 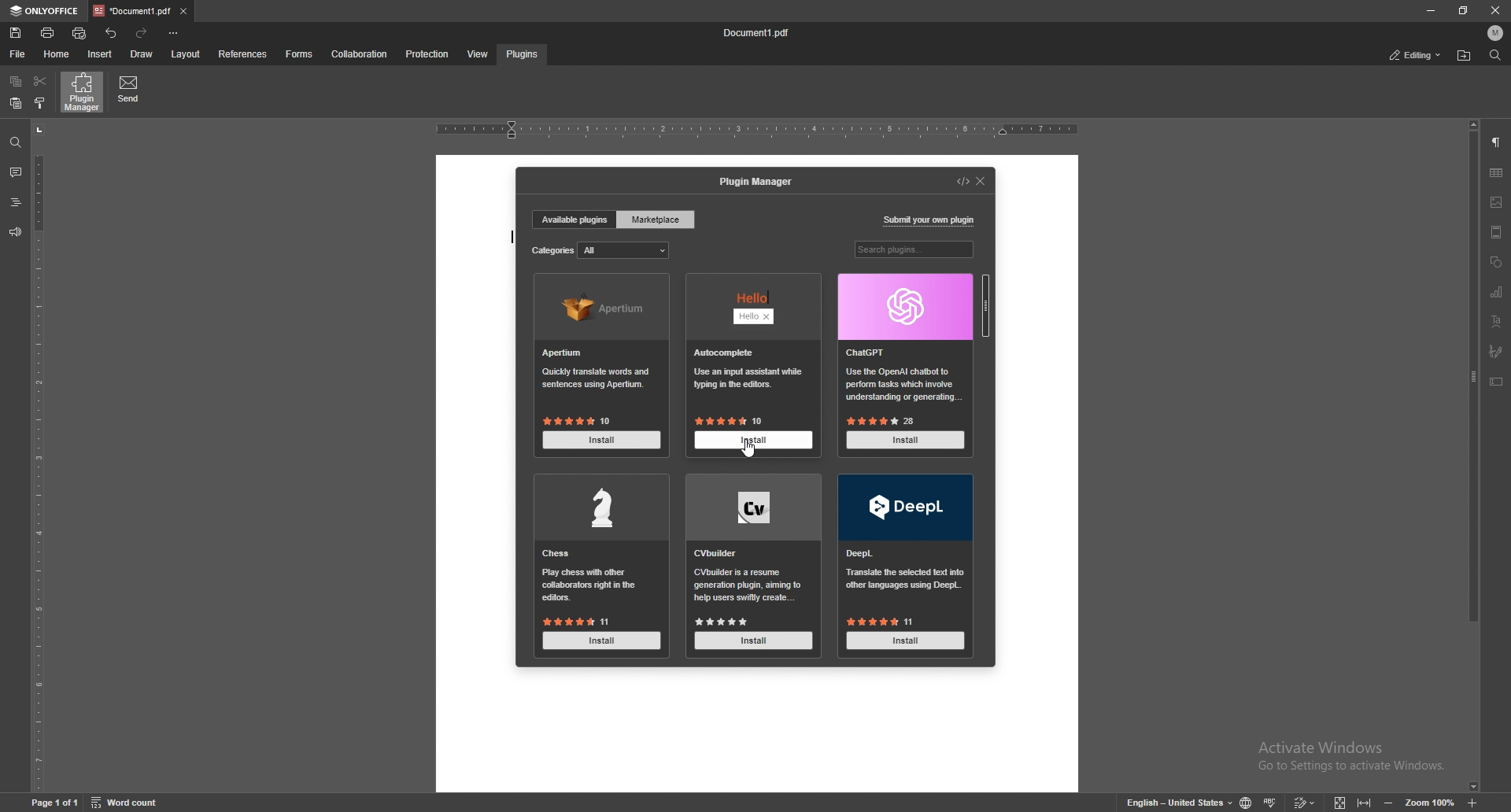 What do you see at coordinates (755, 640) in the screenshot?
I see `install` at bounding box center [755, 640].